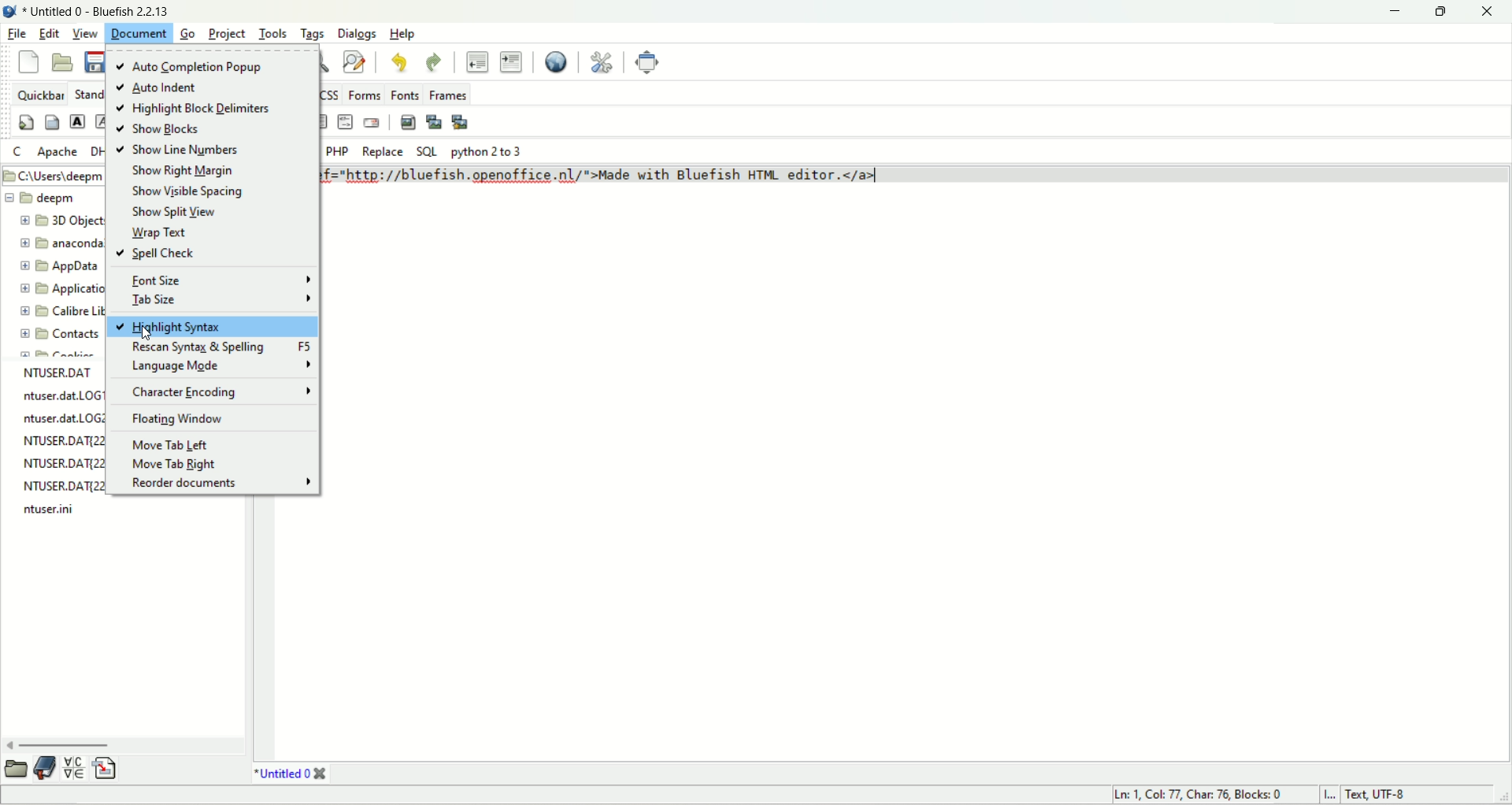  Describe the element at coordinates (399, 63) in the screenshot. I see `undo` at that location.